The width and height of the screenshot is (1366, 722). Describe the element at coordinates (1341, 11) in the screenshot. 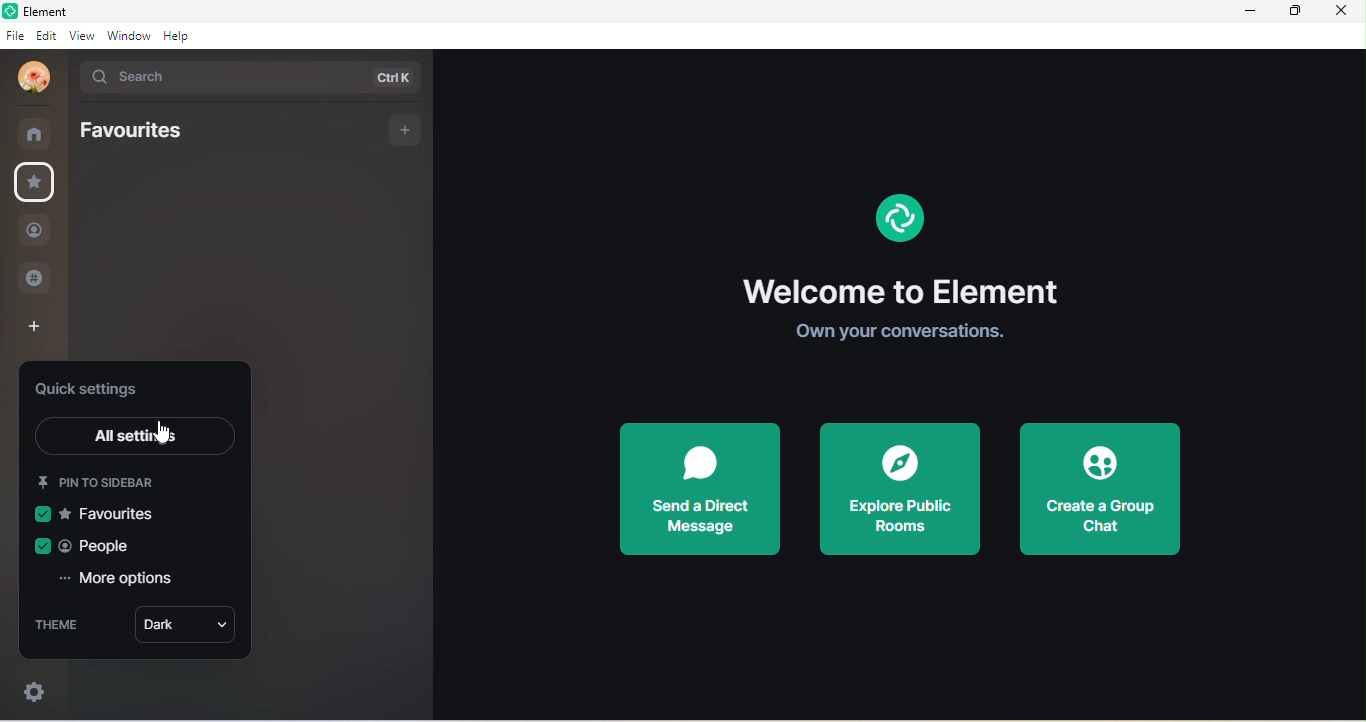

I see `close` at that location.